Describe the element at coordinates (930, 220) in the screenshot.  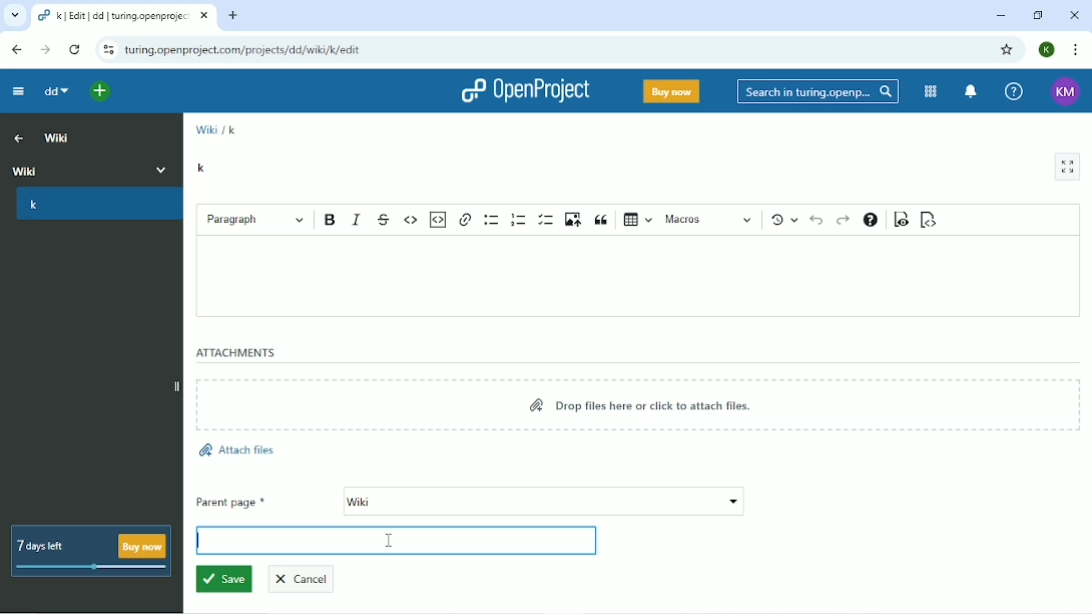
I see `Switch to markdown source` at that location.